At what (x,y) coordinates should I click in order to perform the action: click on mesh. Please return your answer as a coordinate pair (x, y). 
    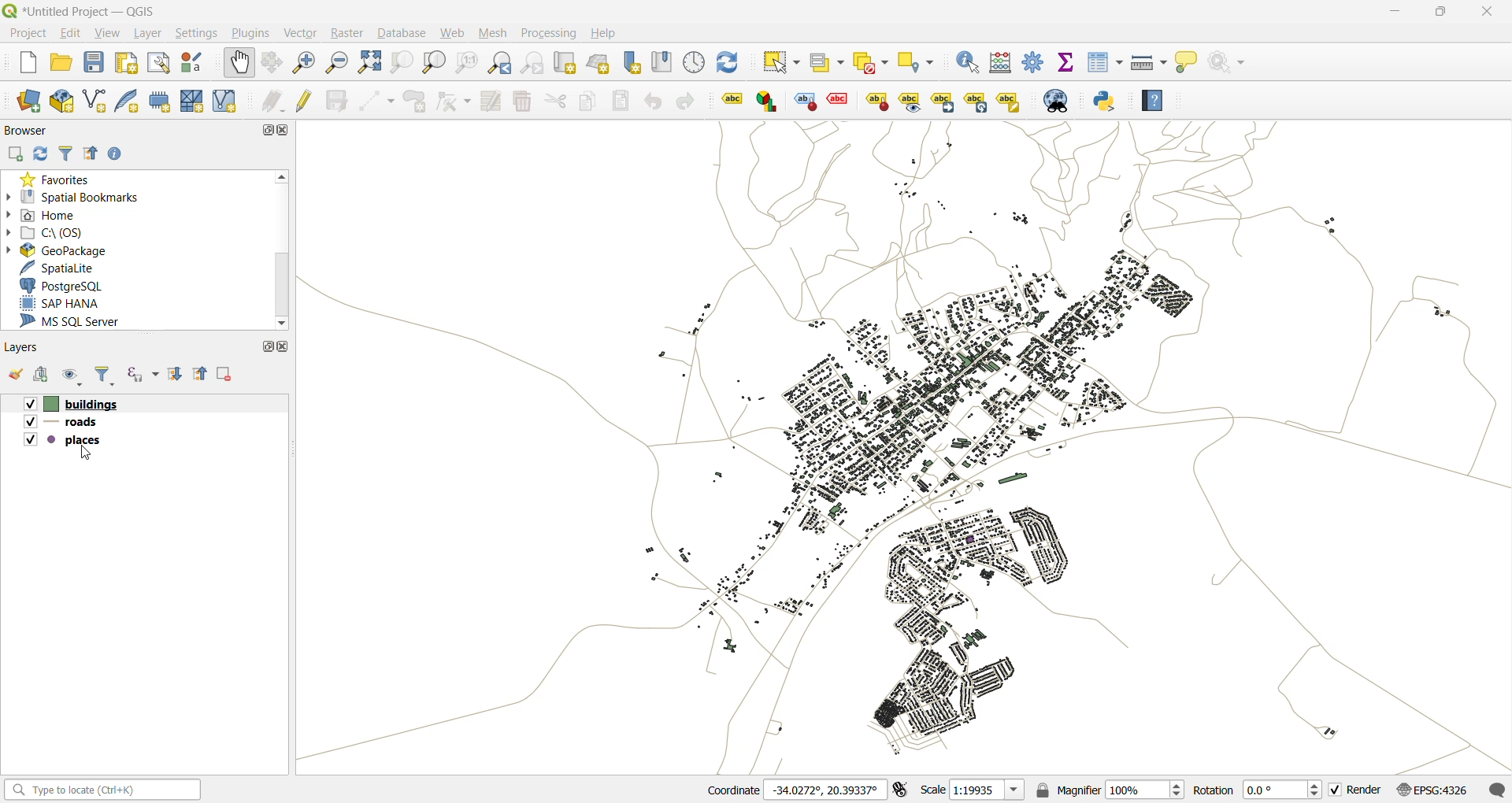
    Looking at the image, I should click on (495, 33).